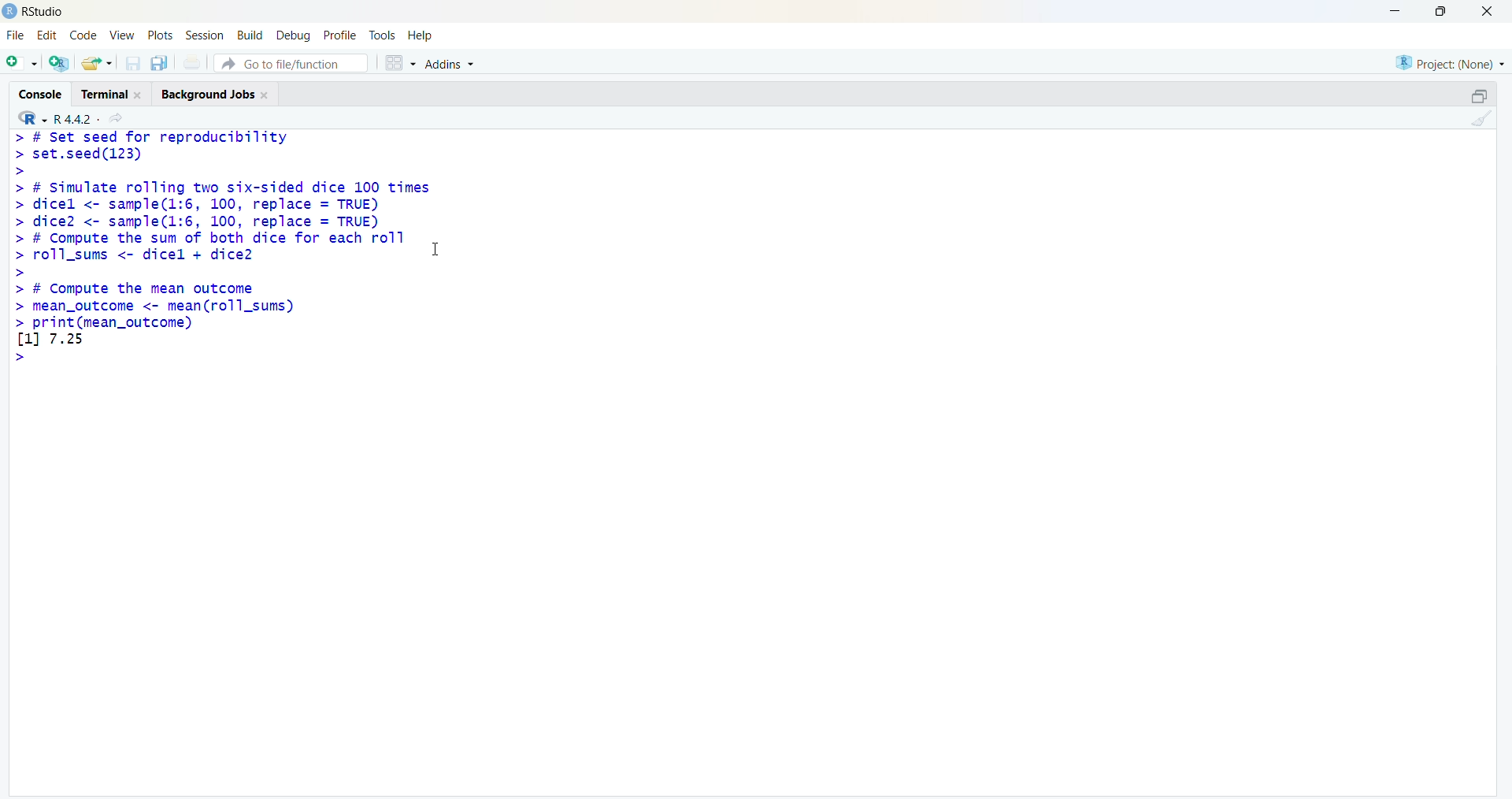 Image resolution: width=1512 pixels, height=799 pixels. What do you see at coordinates (292, 36) in the screenshot?
I see `debug` at bounding box center [292, 36].